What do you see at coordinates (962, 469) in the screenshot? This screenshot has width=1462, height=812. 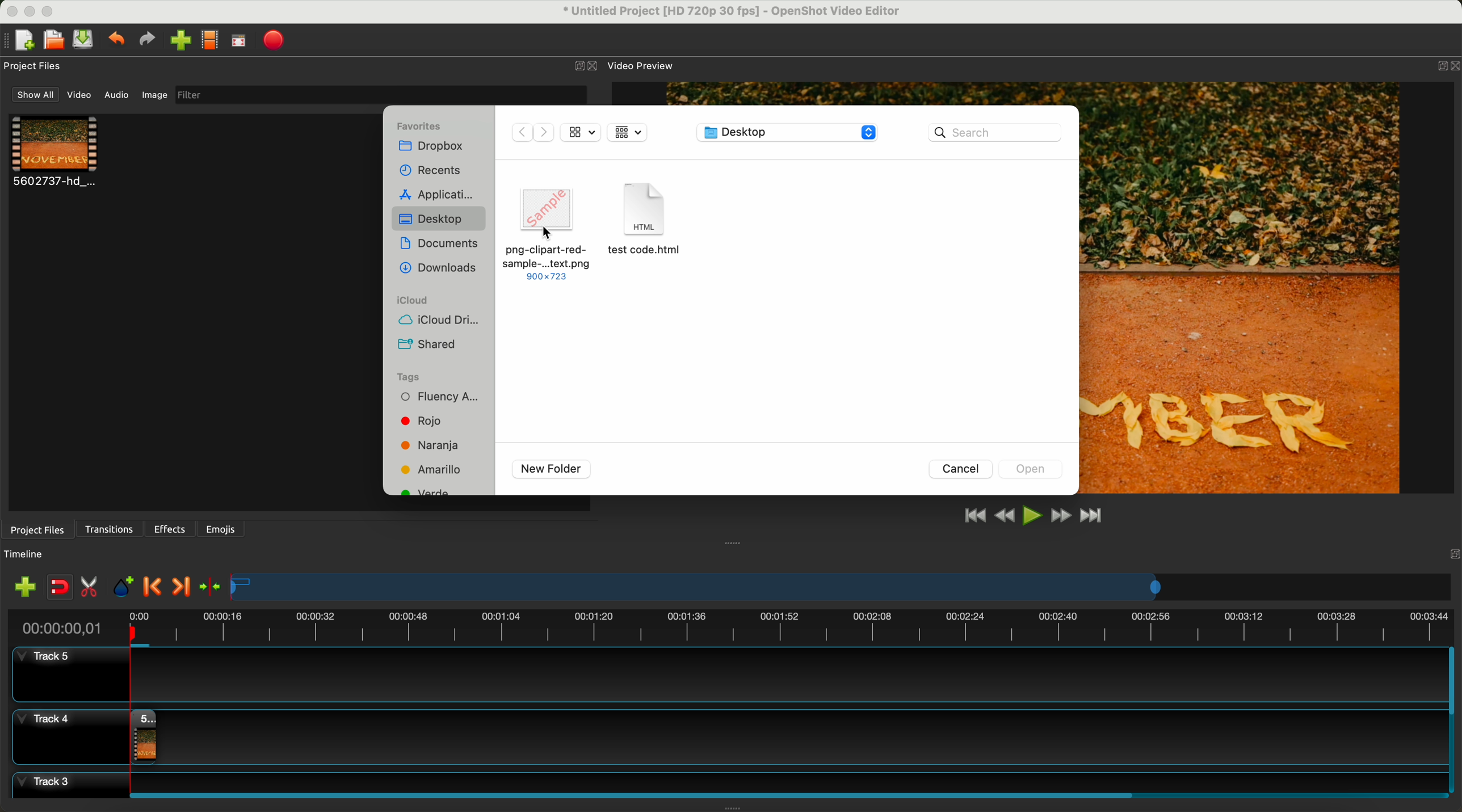 I see `cancel button` at bounding box center [962, 469].